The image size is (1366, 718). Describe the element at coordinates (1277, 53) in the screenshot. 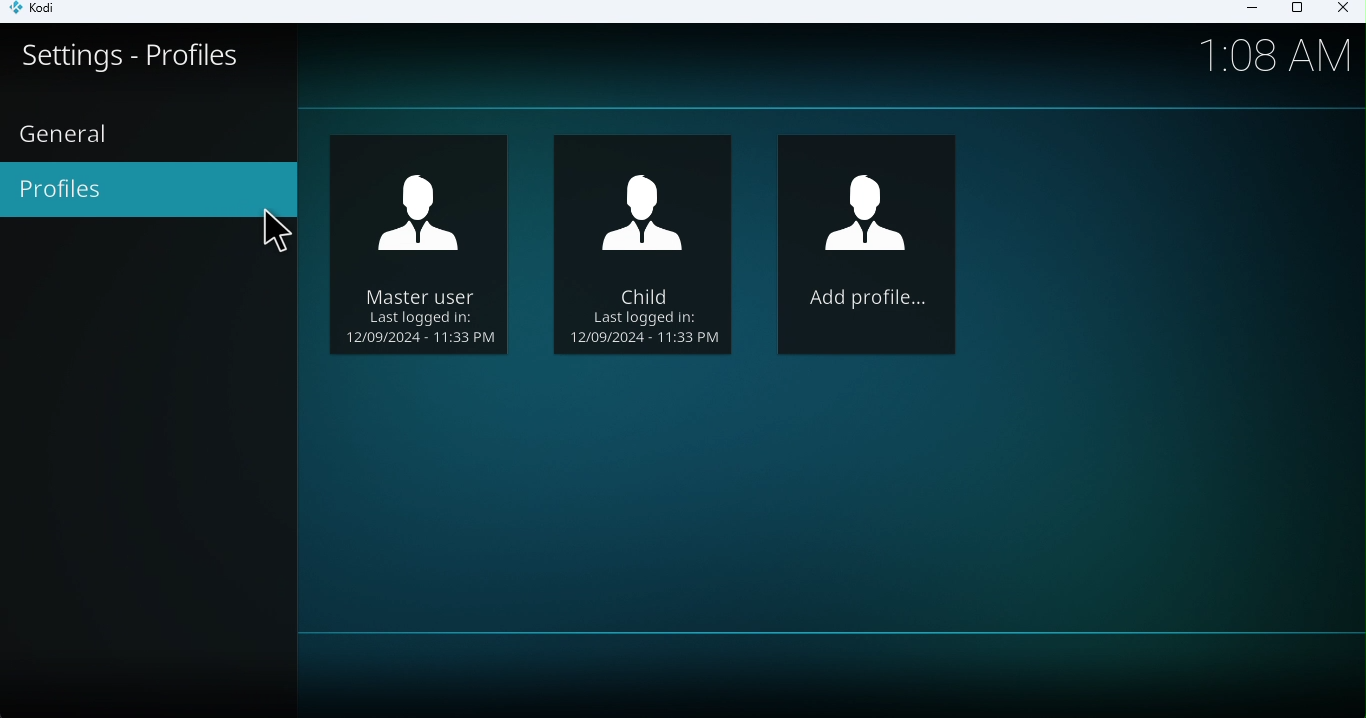

I see `Time` at that location.